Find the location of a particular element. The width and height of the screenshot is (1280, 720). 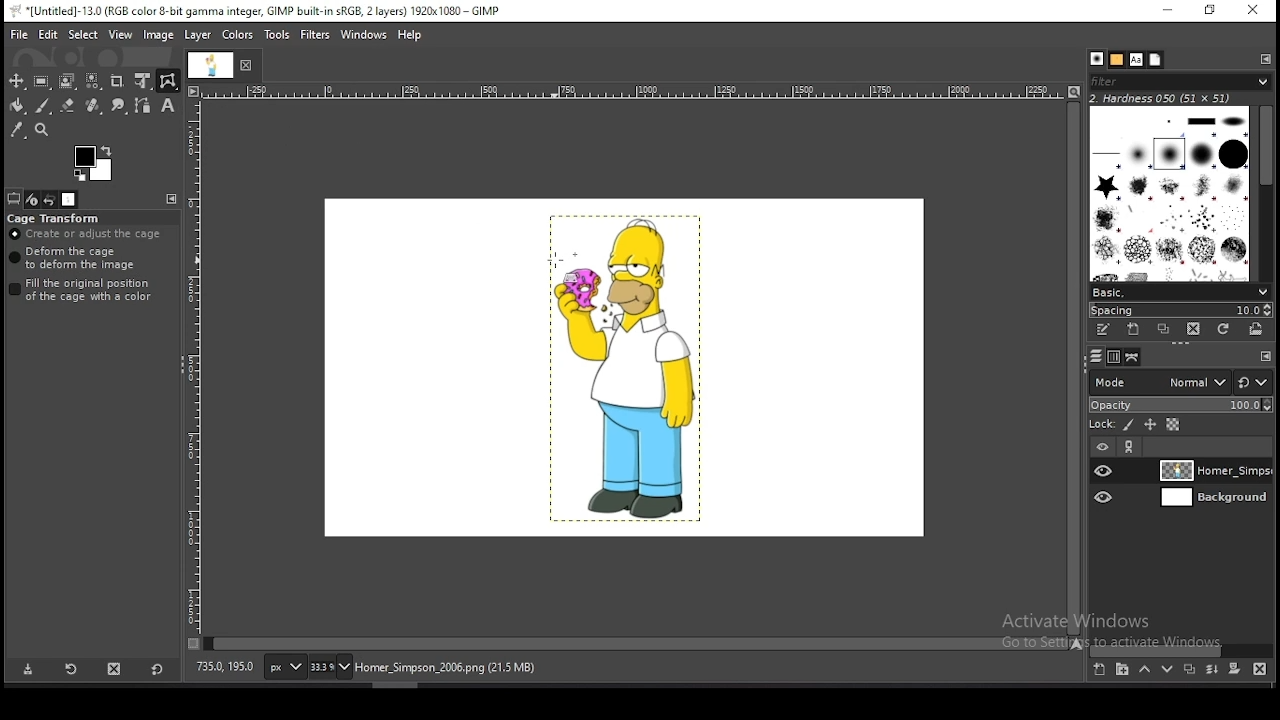

open brush as image is located at coordinates (1256, 328).